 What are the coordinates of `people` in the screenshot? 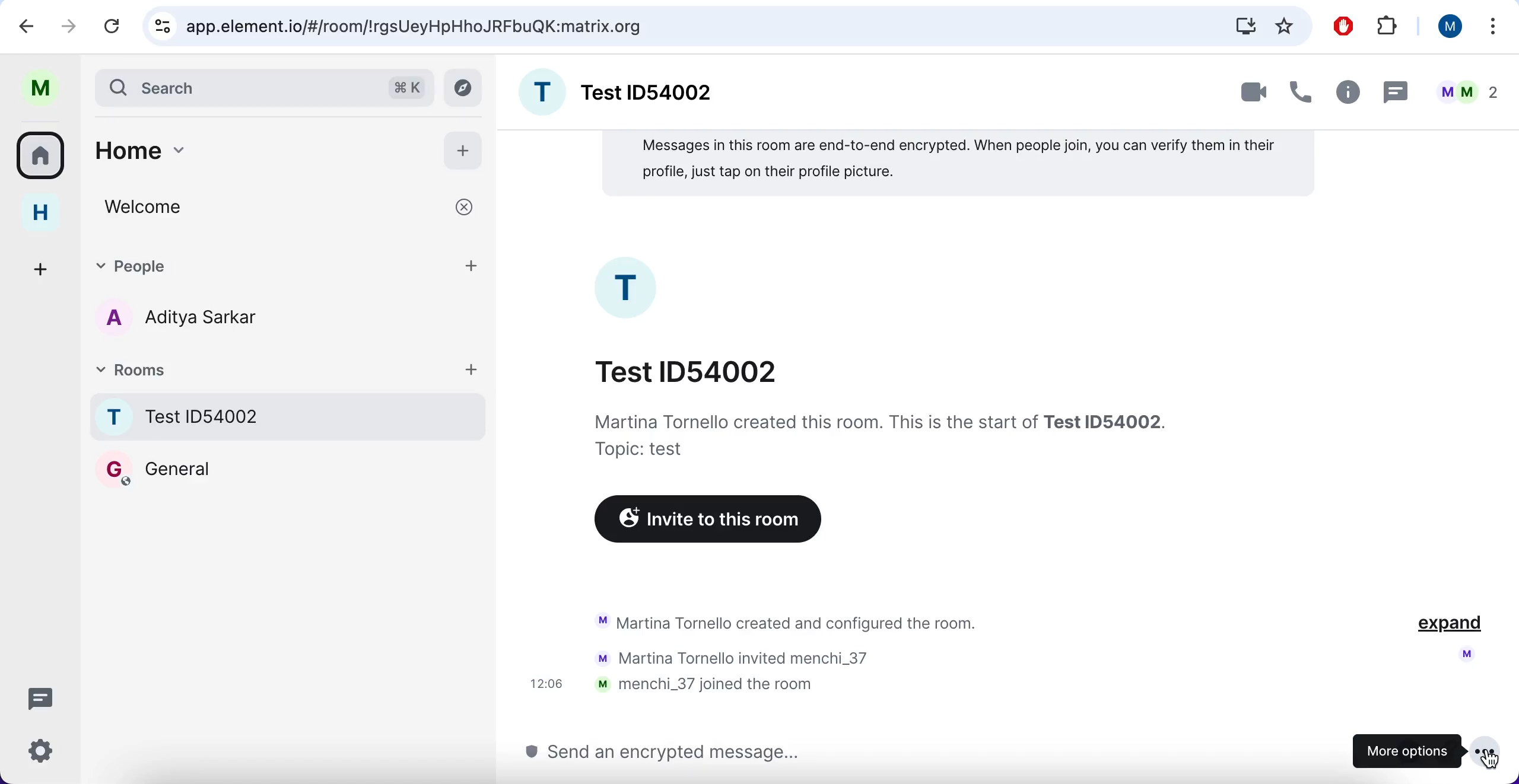 It's located at (1464, 88).